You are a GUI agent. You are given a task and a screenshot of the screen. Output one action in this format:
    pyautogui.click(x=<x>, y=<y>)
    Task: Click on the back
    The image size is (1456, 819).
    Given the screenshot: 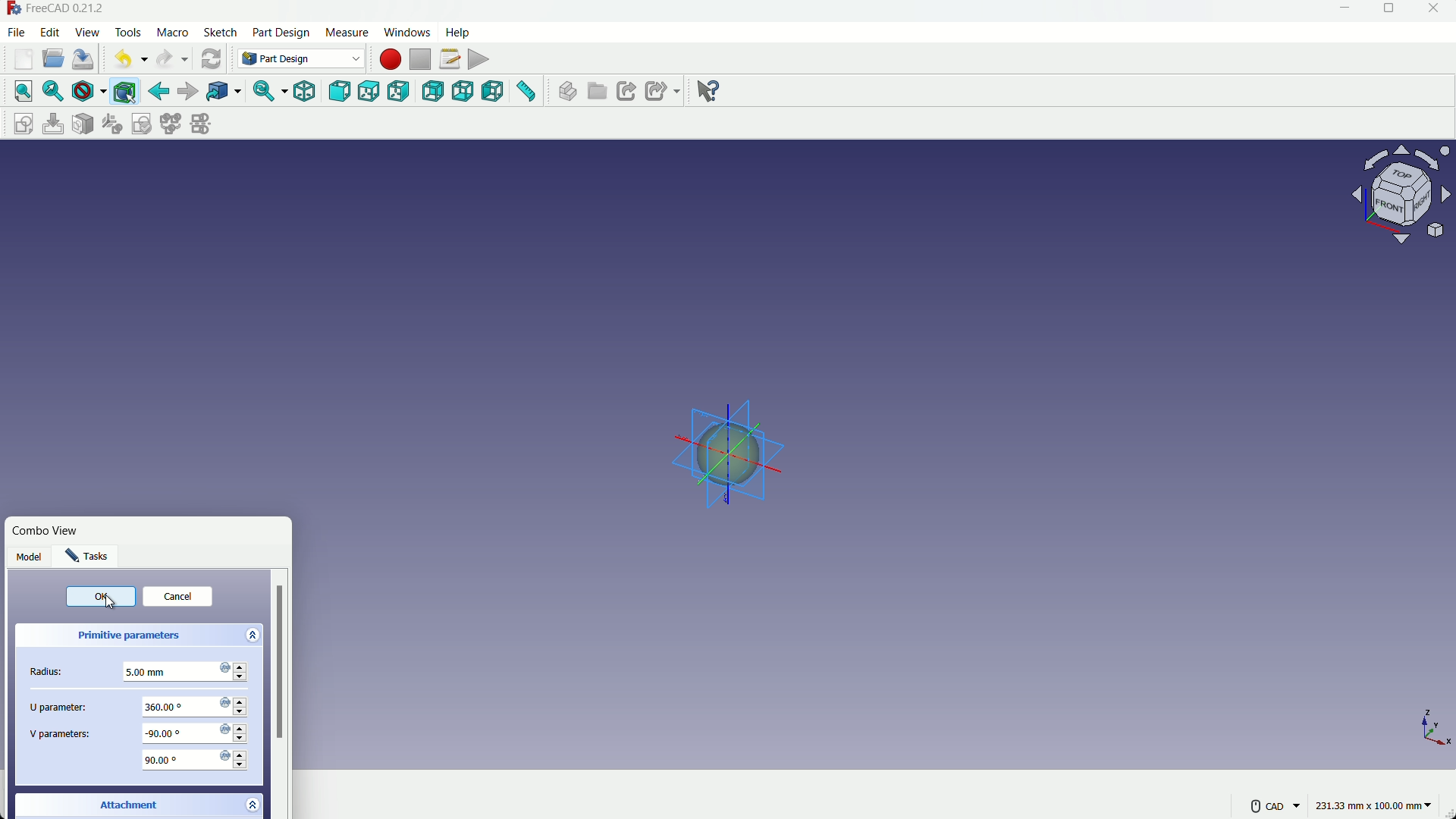 What is the action you would take?
    pyautogui.click(x=158, y=91)
    